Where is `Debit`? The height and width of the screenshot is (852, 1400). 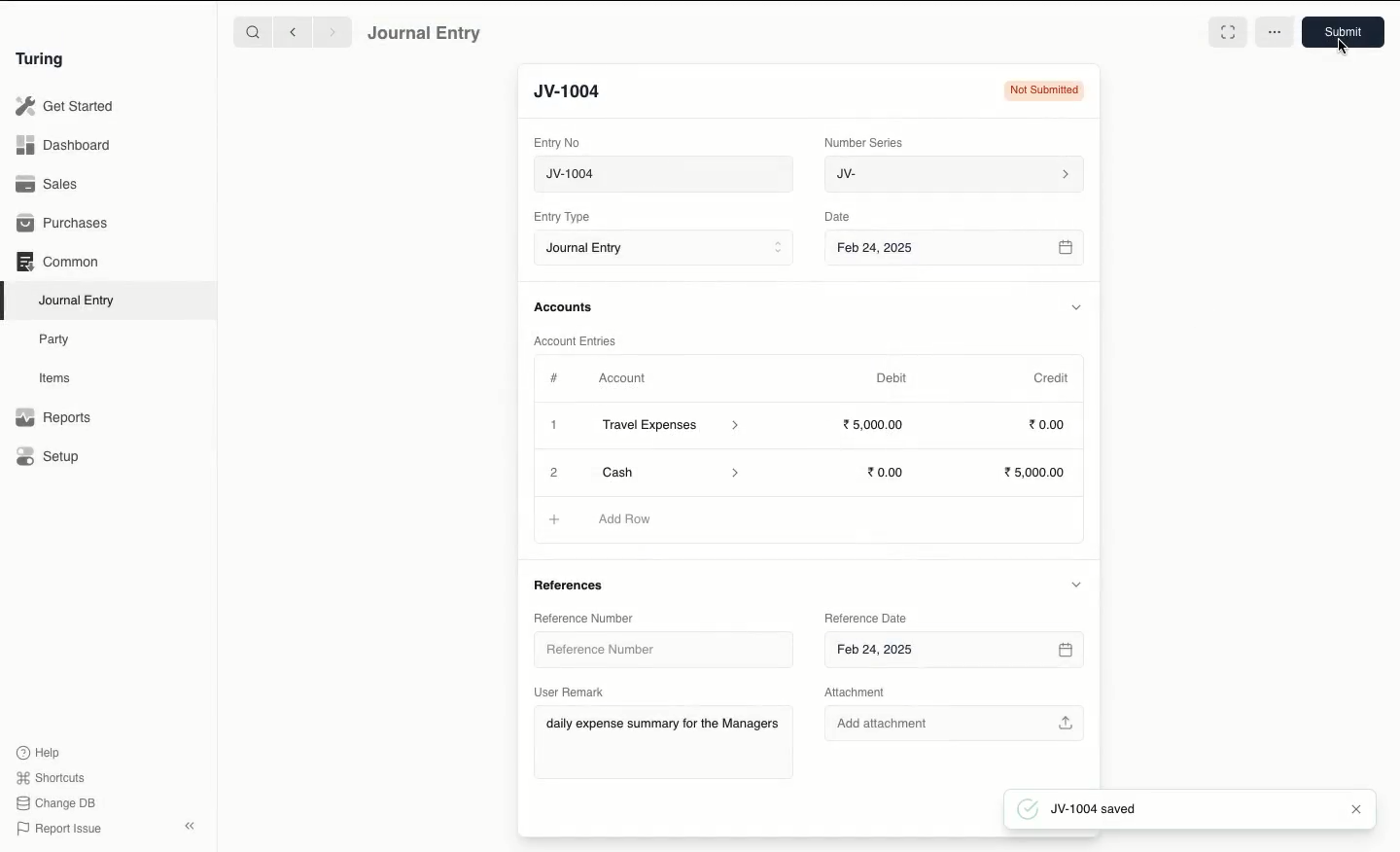 Debit is located at coordinates (892, 378).